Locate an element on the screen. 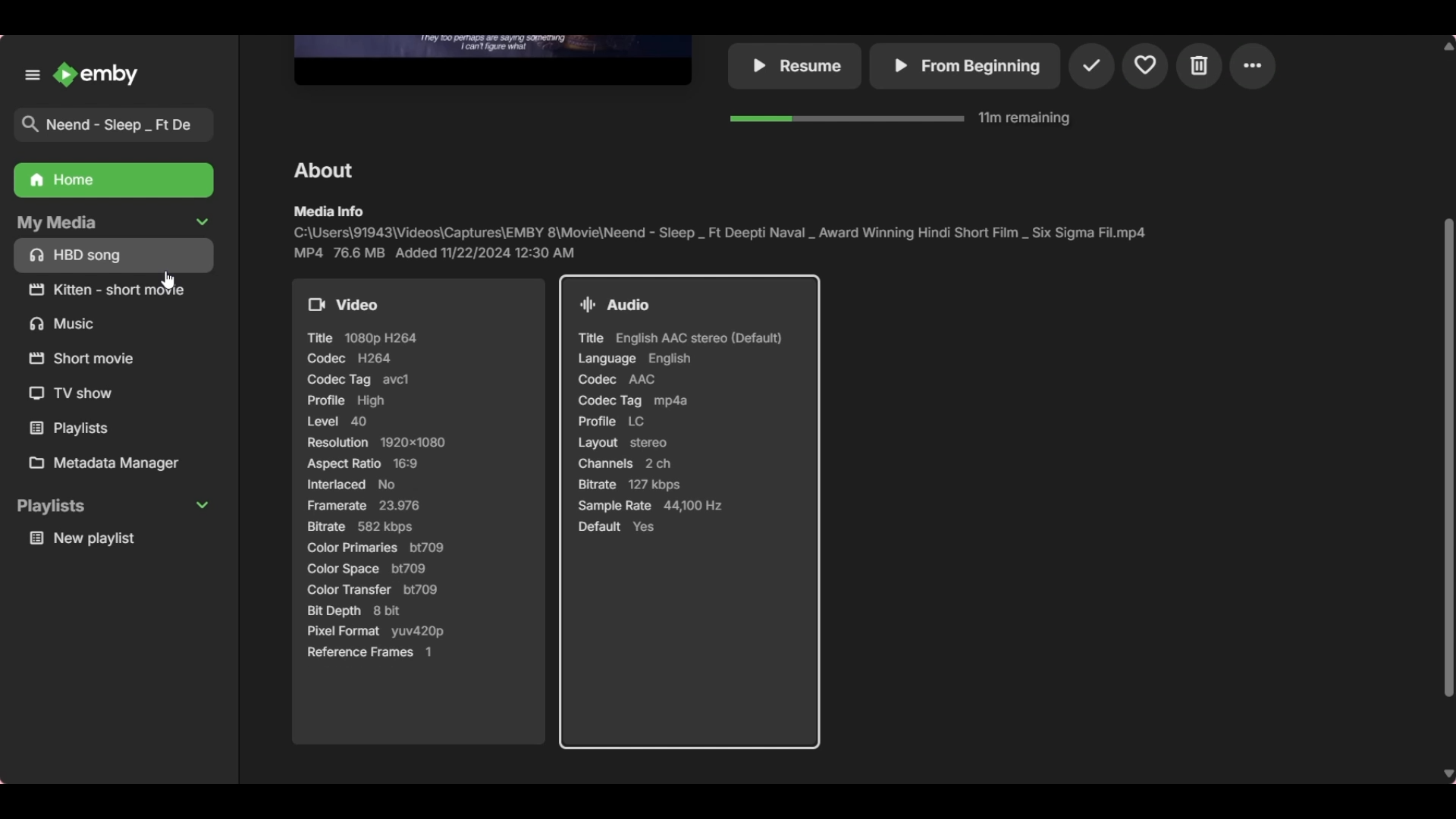   is located at coordinates (725, 231).